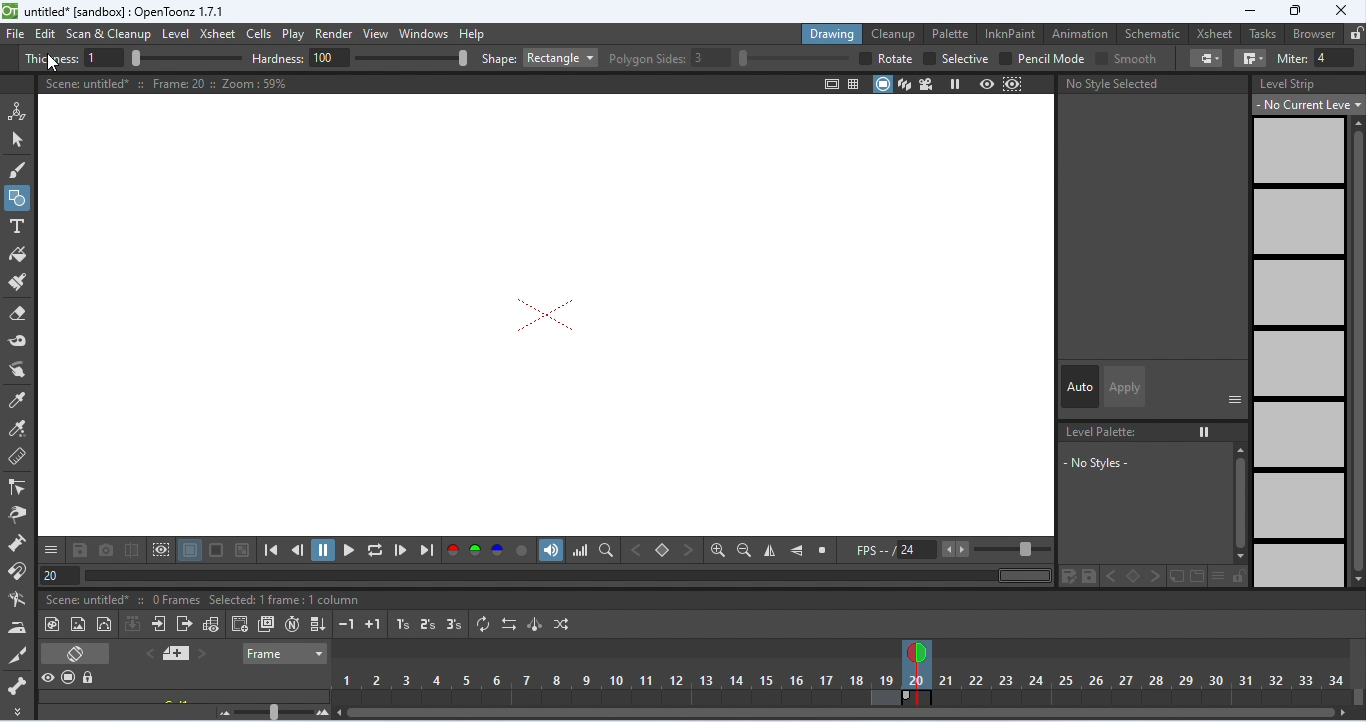 This screenshot has width=1366, height=722. Describe the element at coordinates (17, 398) in the screenshot. I see `tyle picker` at that location.